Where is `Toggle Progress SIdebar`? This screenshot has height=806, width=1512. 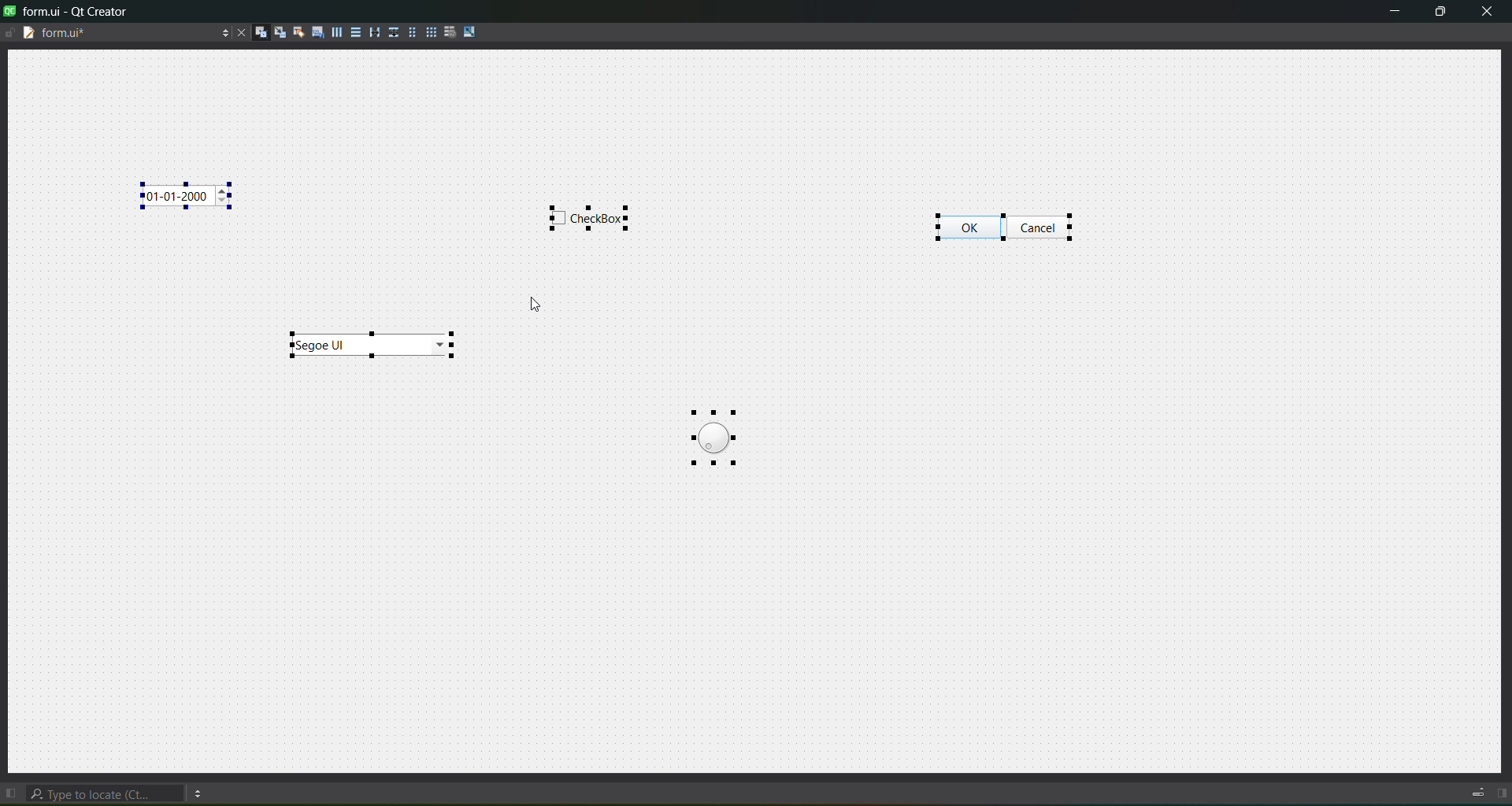
Toggle Progress SIdebar is located at coordinates (1473, 789).